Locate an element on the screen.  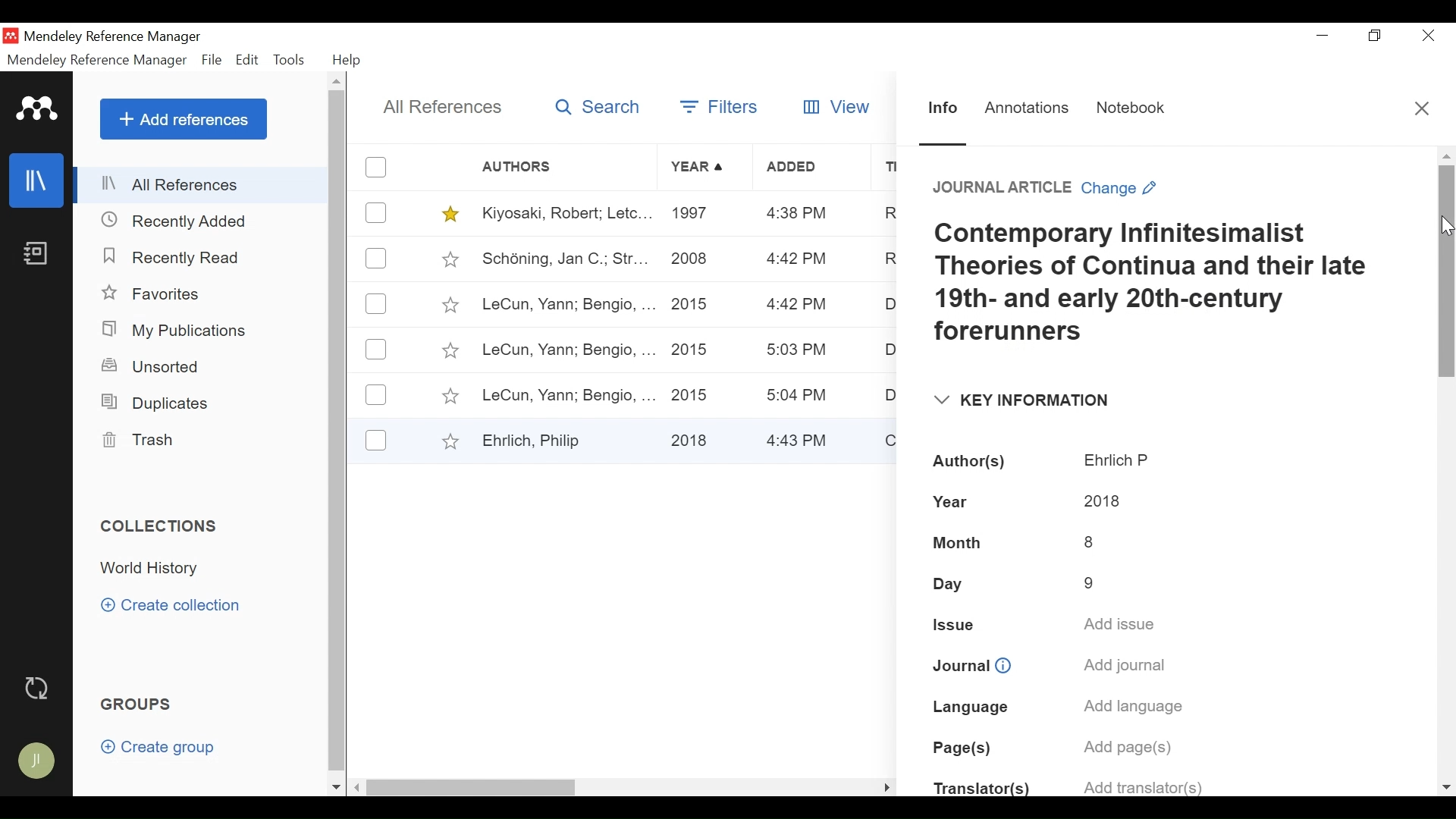
Annotation is located at coordinates (1029, 110).